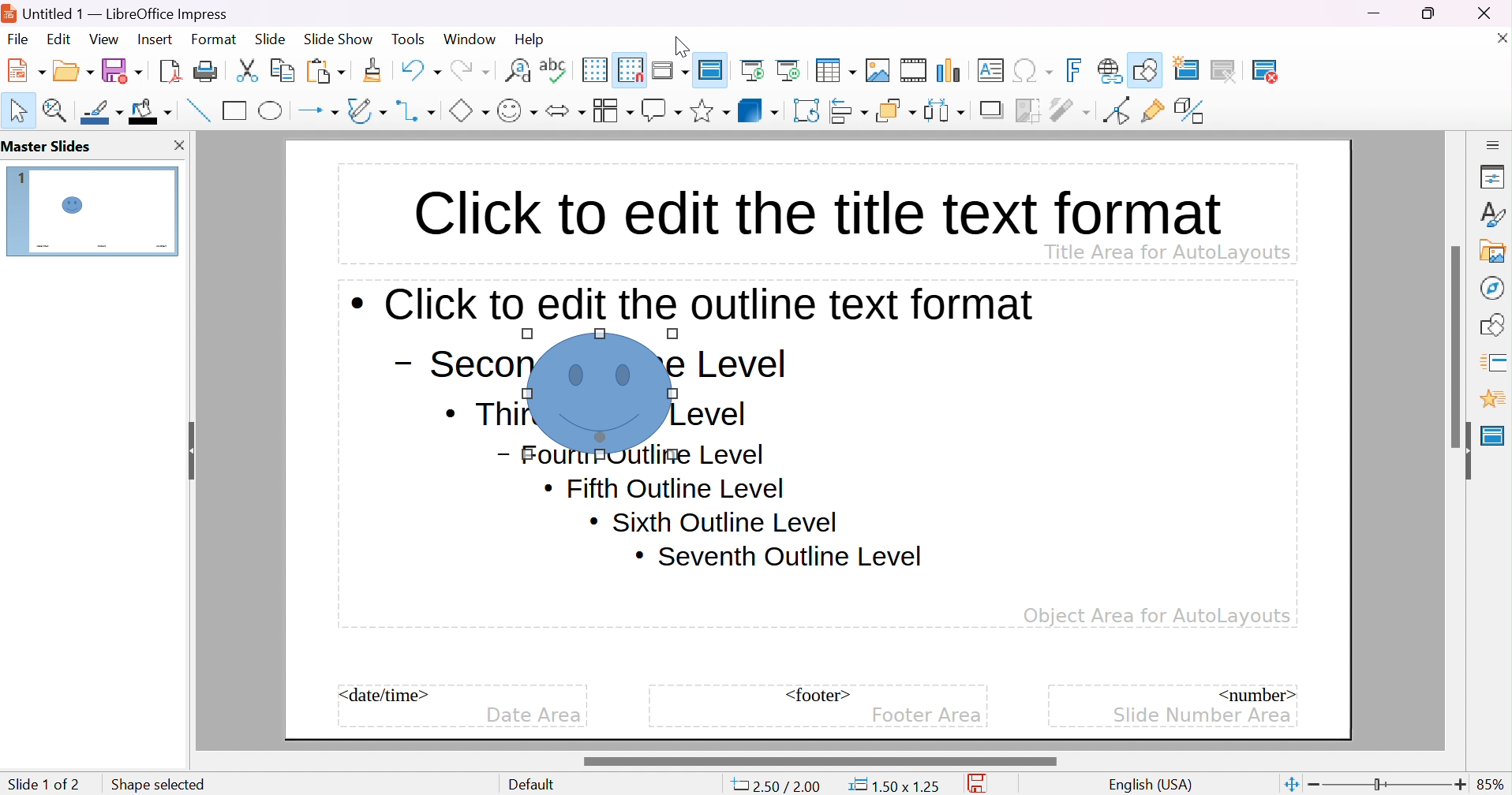 This screenshot has height=795, width=1512. What do you see at coordinates (878, 70) in the screenshot?
I see `insert image` at bounding box center [878, 70].